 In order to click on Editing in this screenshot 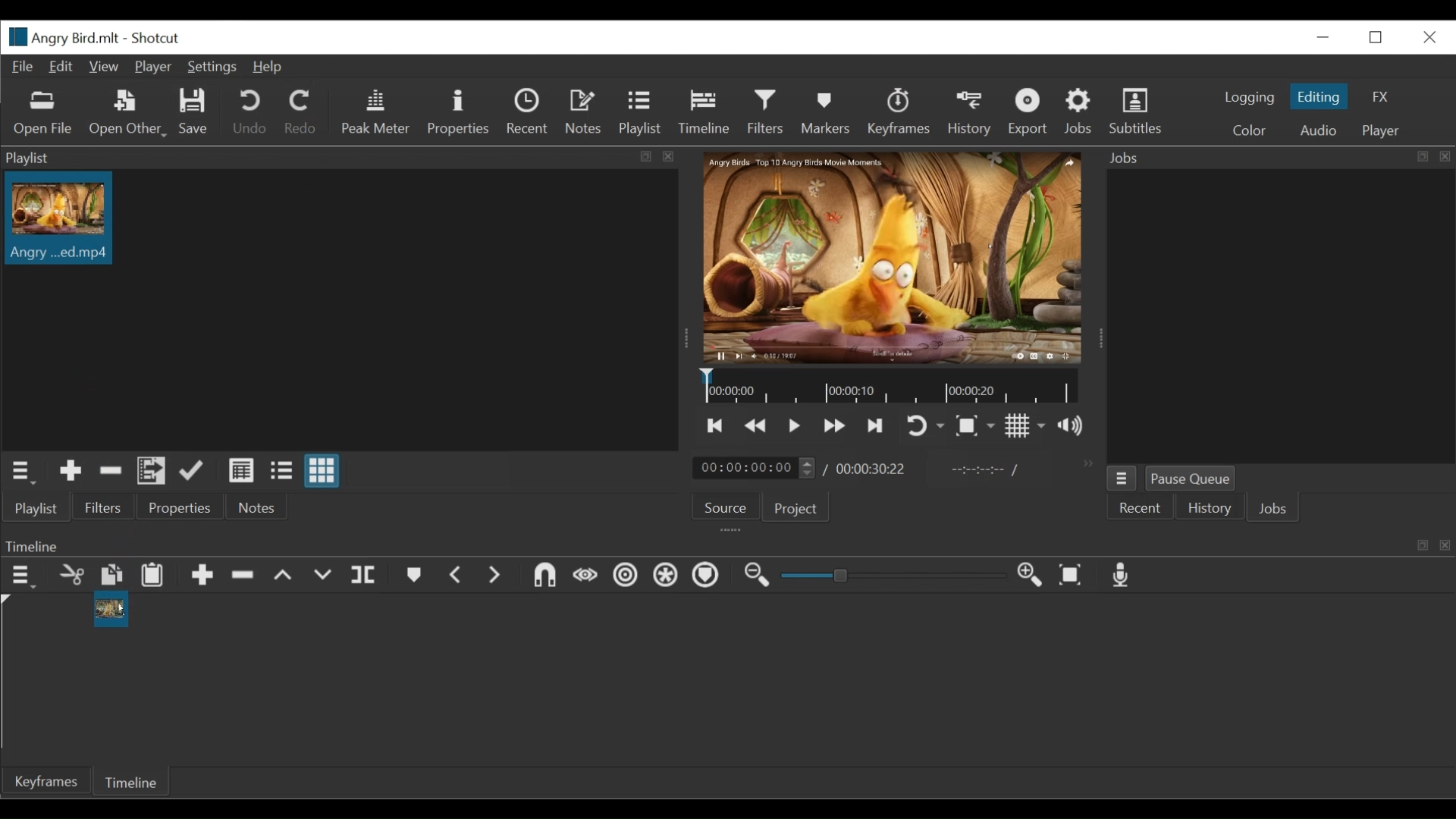, I will do `click(1318, 96)`.